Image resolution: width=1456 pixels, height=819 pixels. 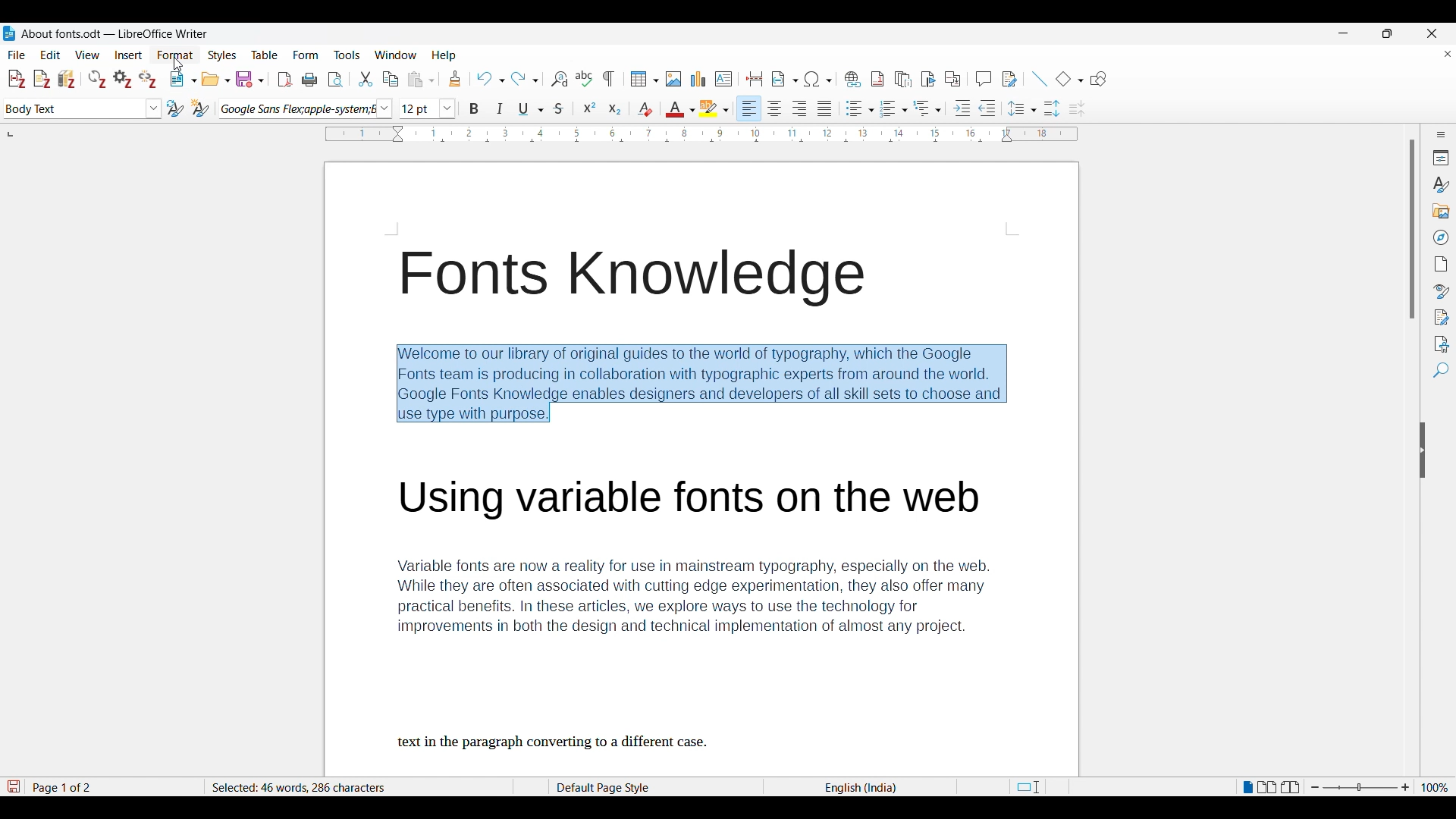 What do you see at coordinates (1442, 212) in the screenshot?
I see `Gallery` at bounding box center [1442, 212].